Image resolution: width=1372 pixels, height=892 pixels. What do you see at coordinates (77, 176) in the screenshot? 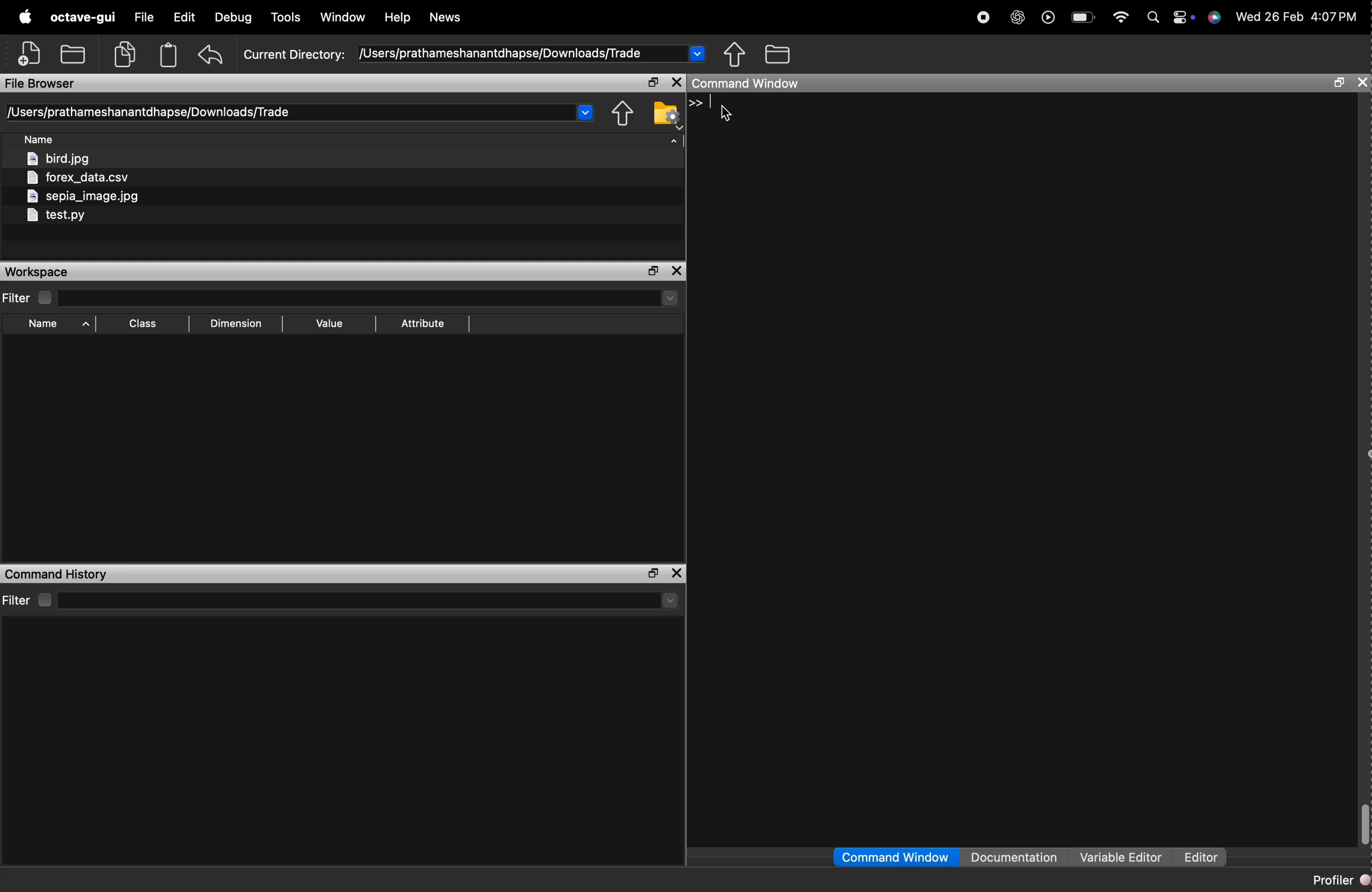
I see ` forex_data.csv` at bounding box center [77, 176].